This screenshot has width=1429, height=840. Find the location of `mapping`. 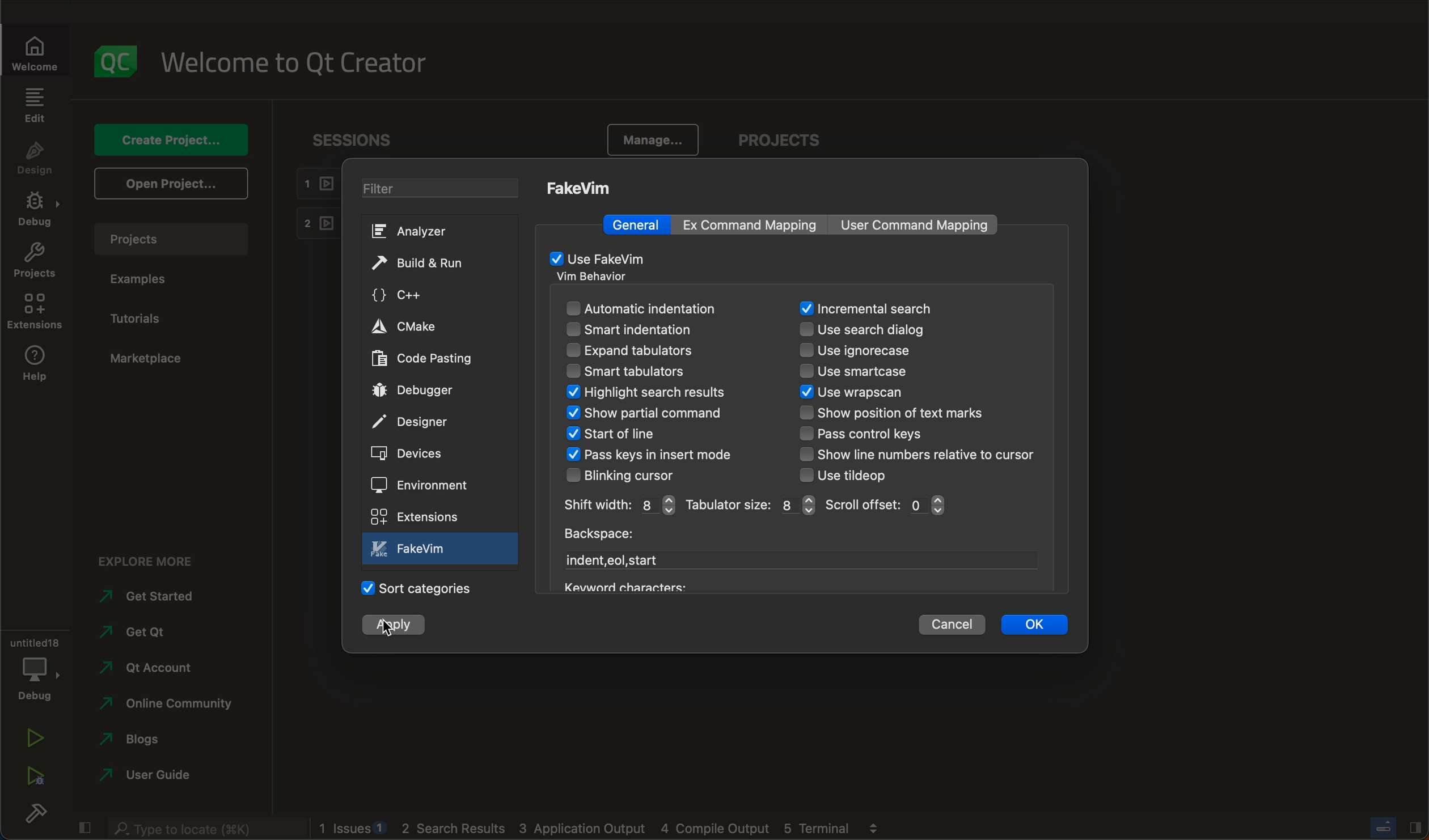

mapping is located at coordinates (758, 224).